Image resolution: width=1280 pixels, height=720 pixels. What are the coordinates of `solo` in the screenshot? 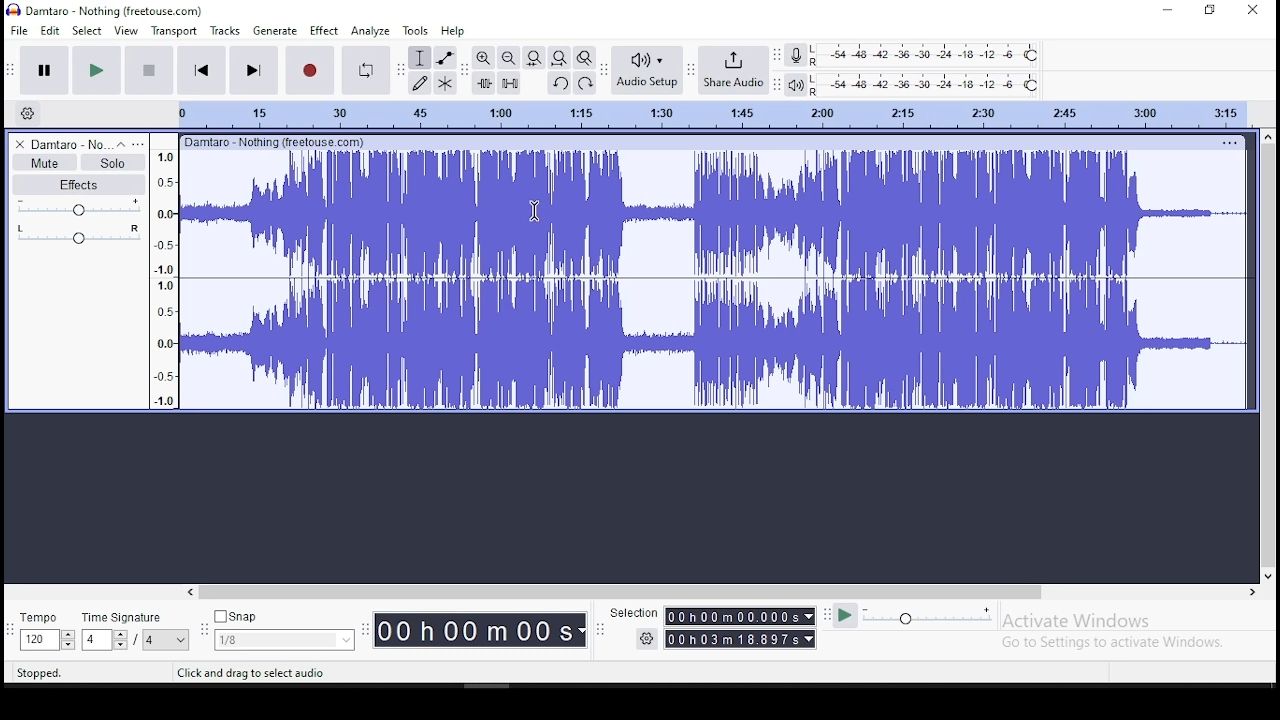 It's located at (113, 163).